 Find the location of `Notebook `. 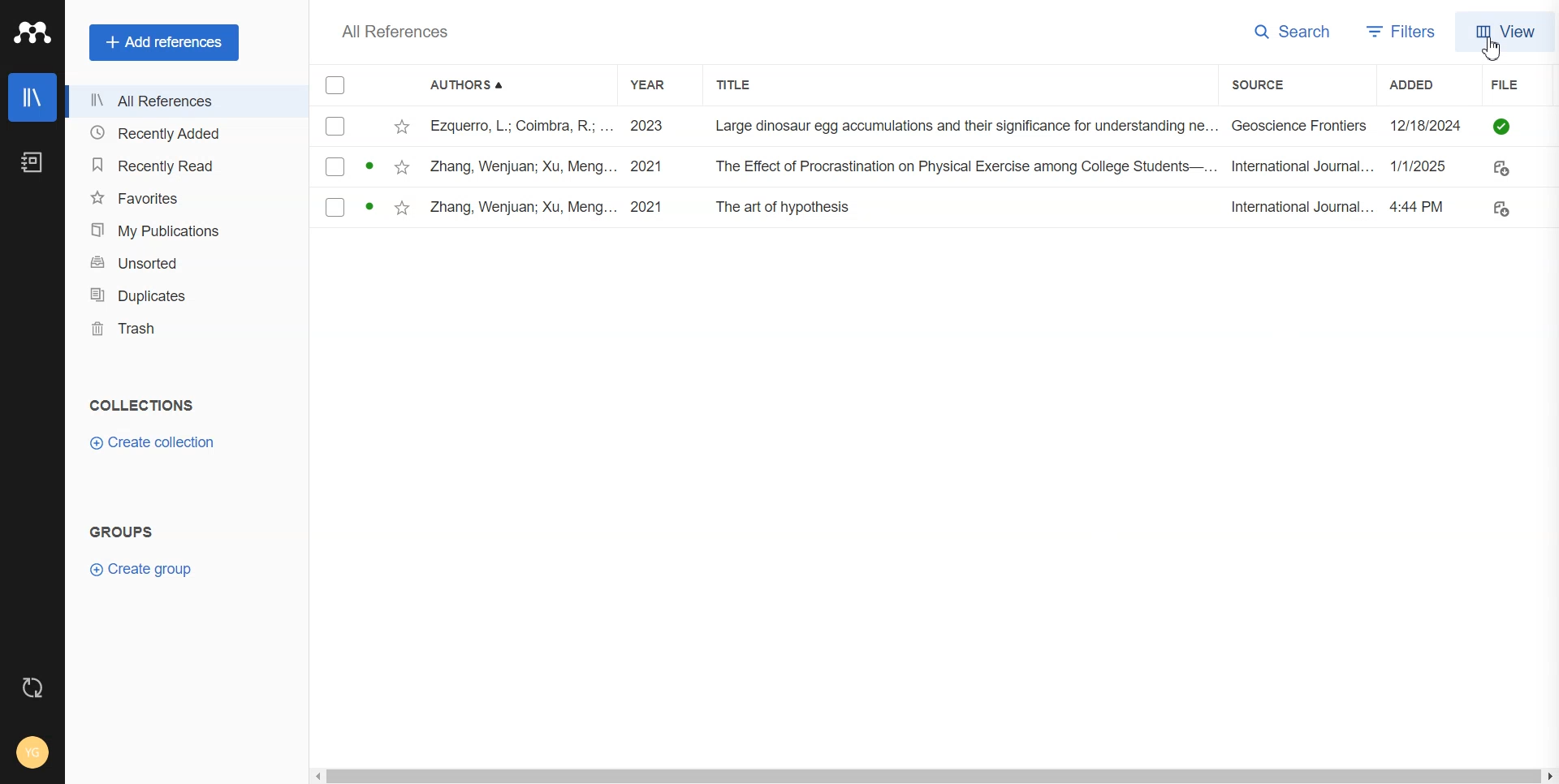

Notebook  is located at coordinates (34, 163).